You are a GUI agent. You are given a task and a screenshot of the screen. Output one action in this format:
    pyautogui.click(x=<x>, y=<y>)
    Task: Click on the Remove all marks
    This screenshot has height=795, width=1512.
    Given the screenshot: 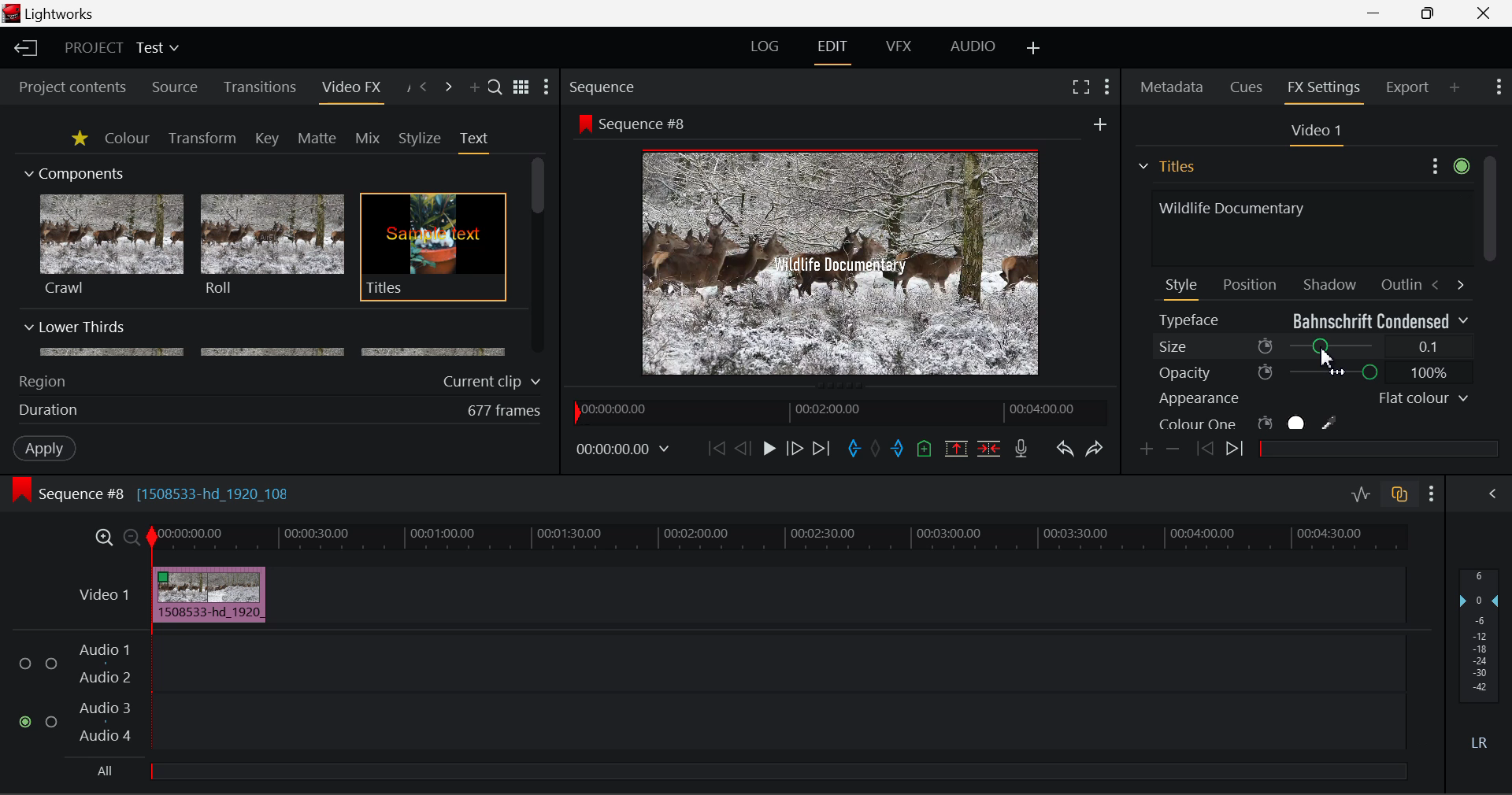 What is the action you would take?
    pyautogui.click(x=877, y=450)
    